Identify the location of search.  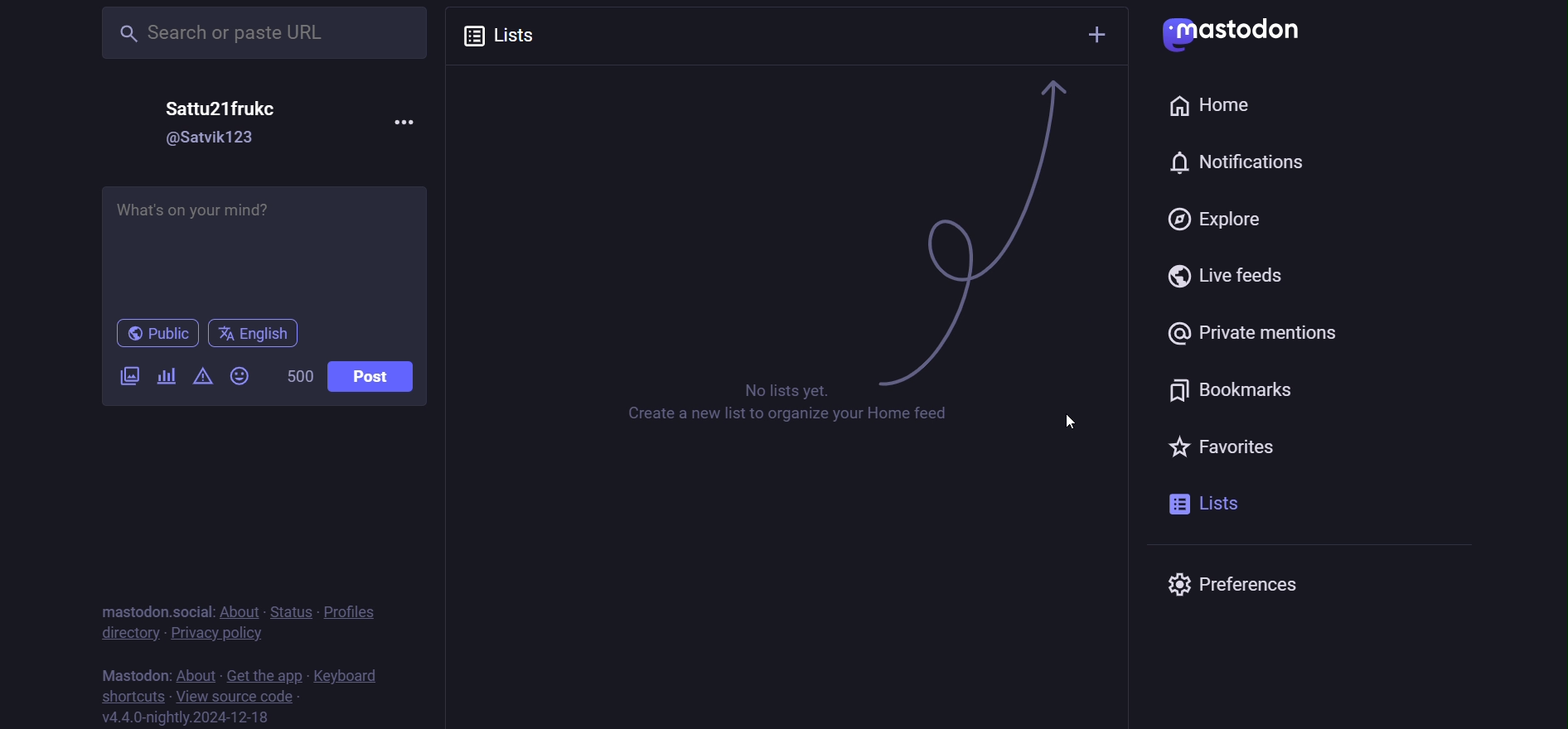
(248, 33).